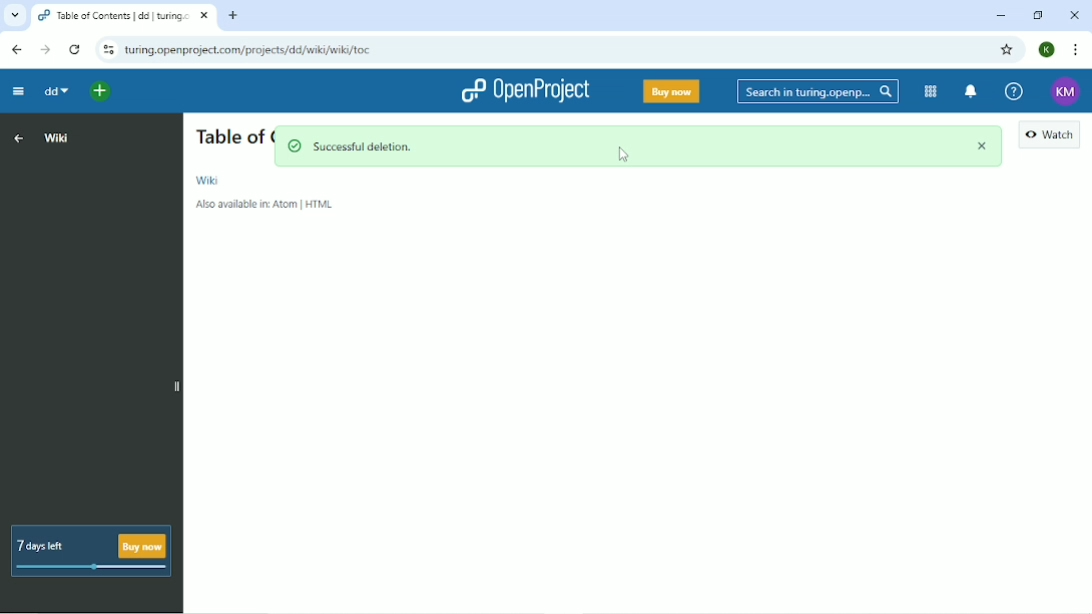  Describe the element at coordinates (626, 156) in the screenshot. I see `cursor` at that location.